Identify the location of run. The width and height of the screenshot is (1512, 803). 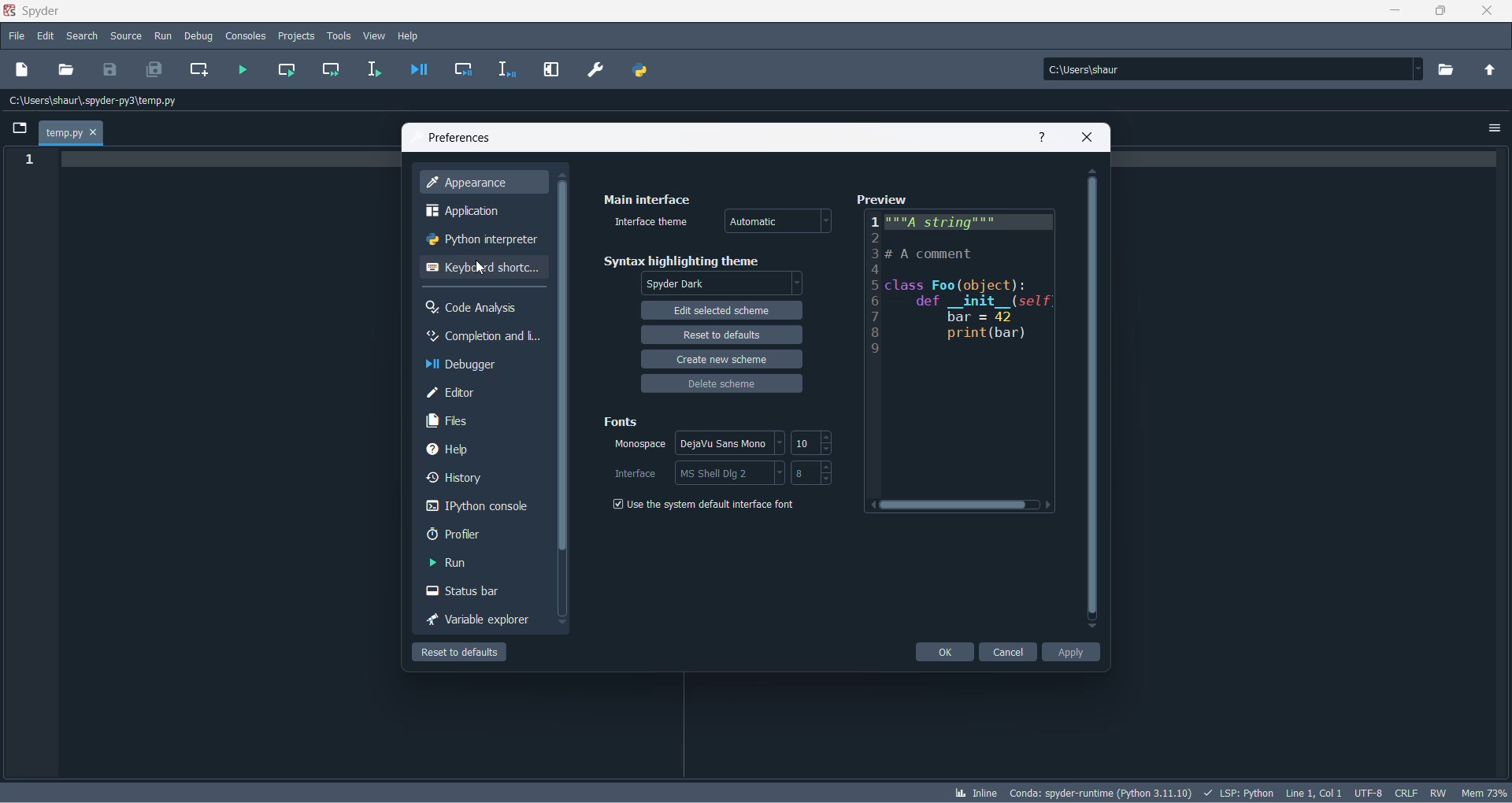
(476, 561).